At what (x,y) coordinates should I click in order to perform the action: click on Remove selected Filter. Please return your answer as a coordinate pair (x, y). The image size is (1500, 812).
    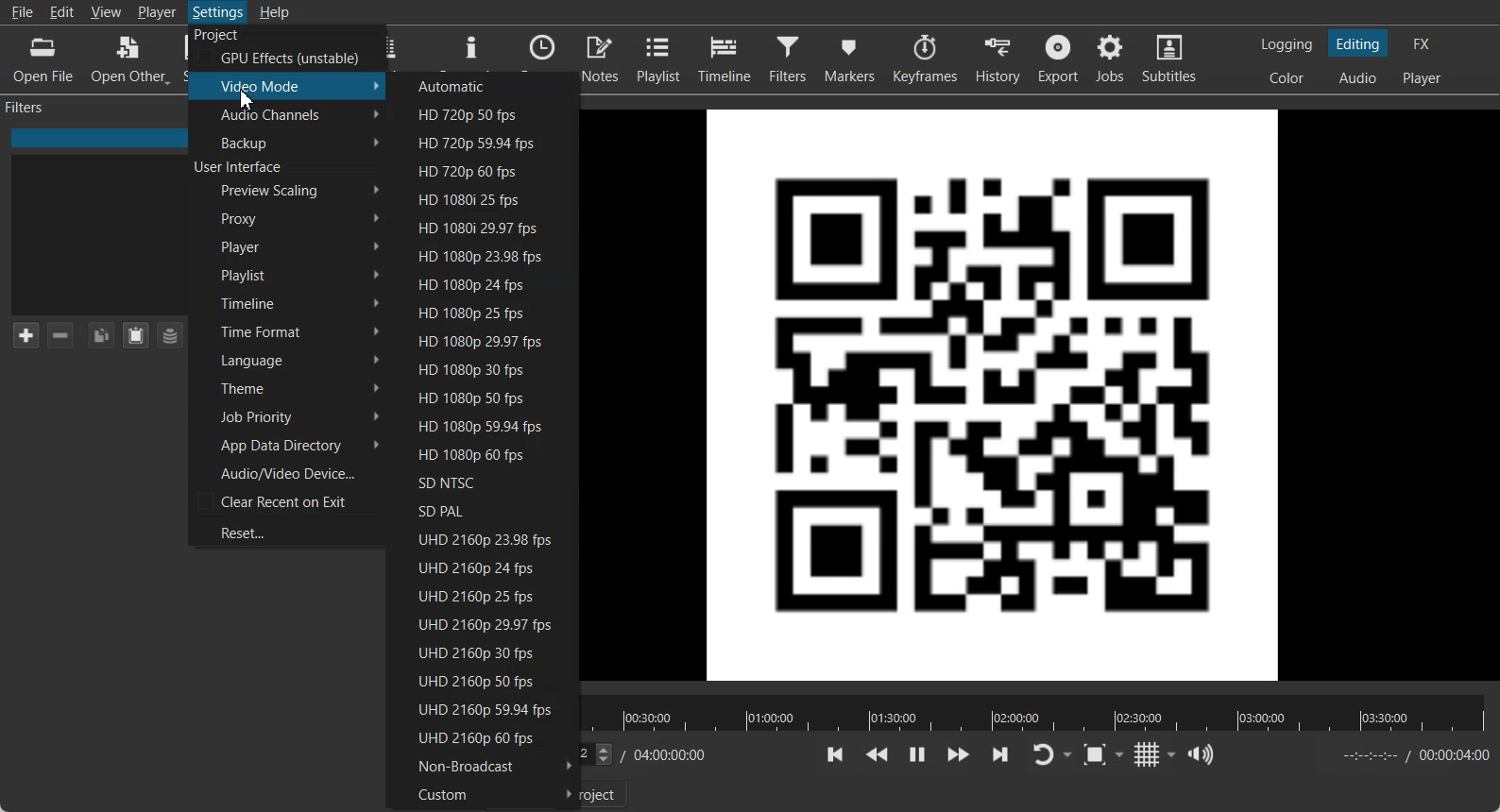
    Looking at the image, I should click on (62, 335).